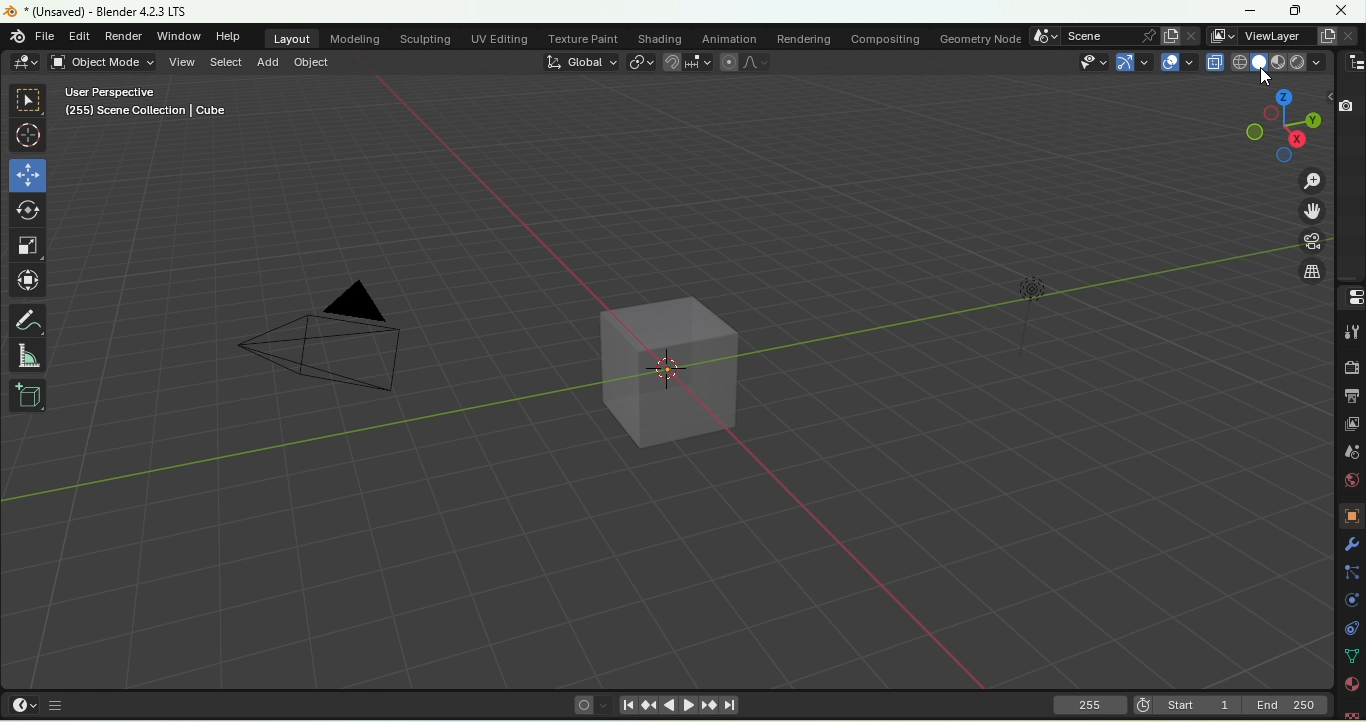 Image resolution: width=1366 pixels, height=722 pixels. I want to click on Sculpting, so click(426, 39).